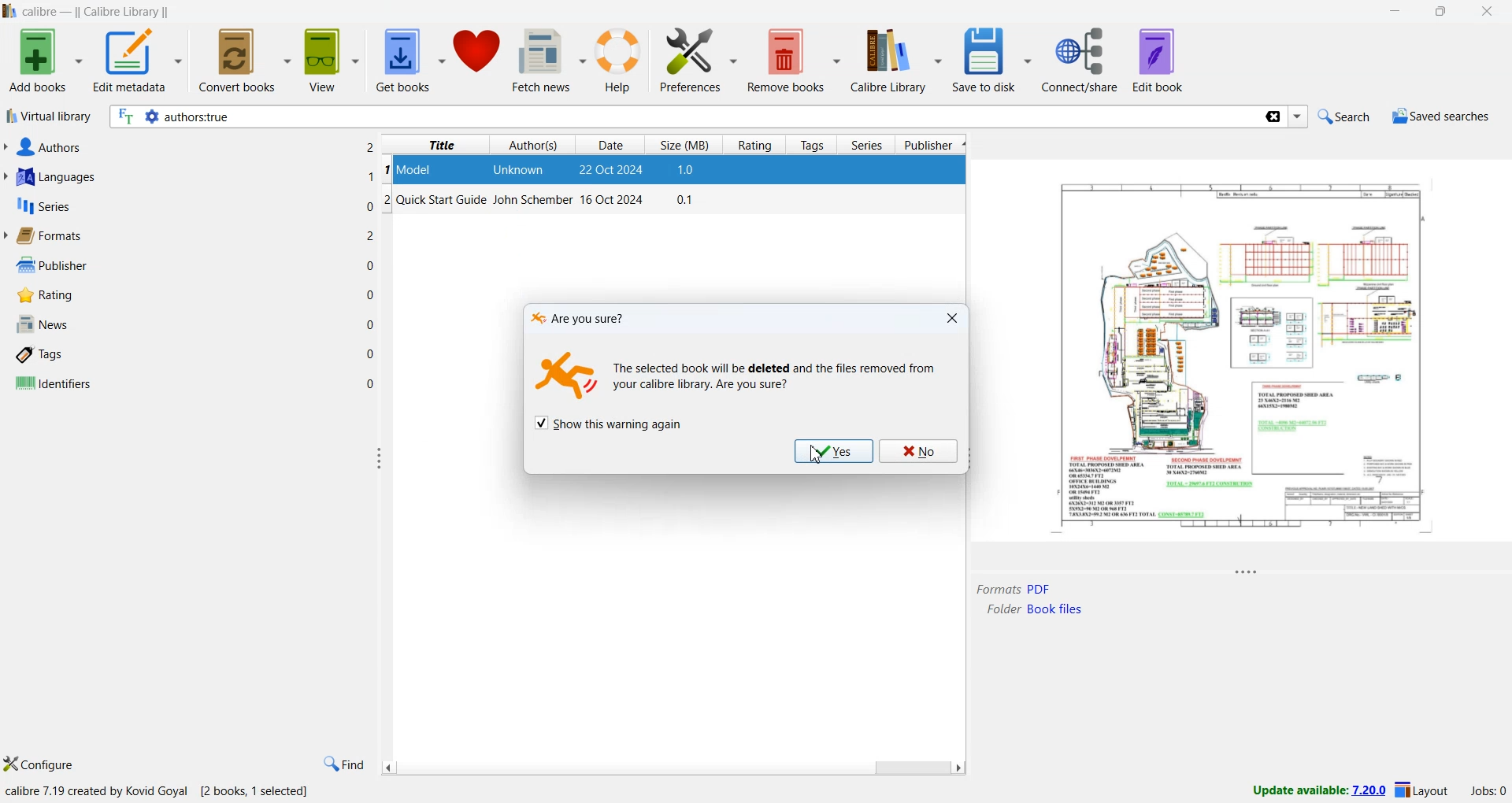  What do you see at coordinates (42, 209) in the screenshot?
I see `series` at bounding box center [42, 209].